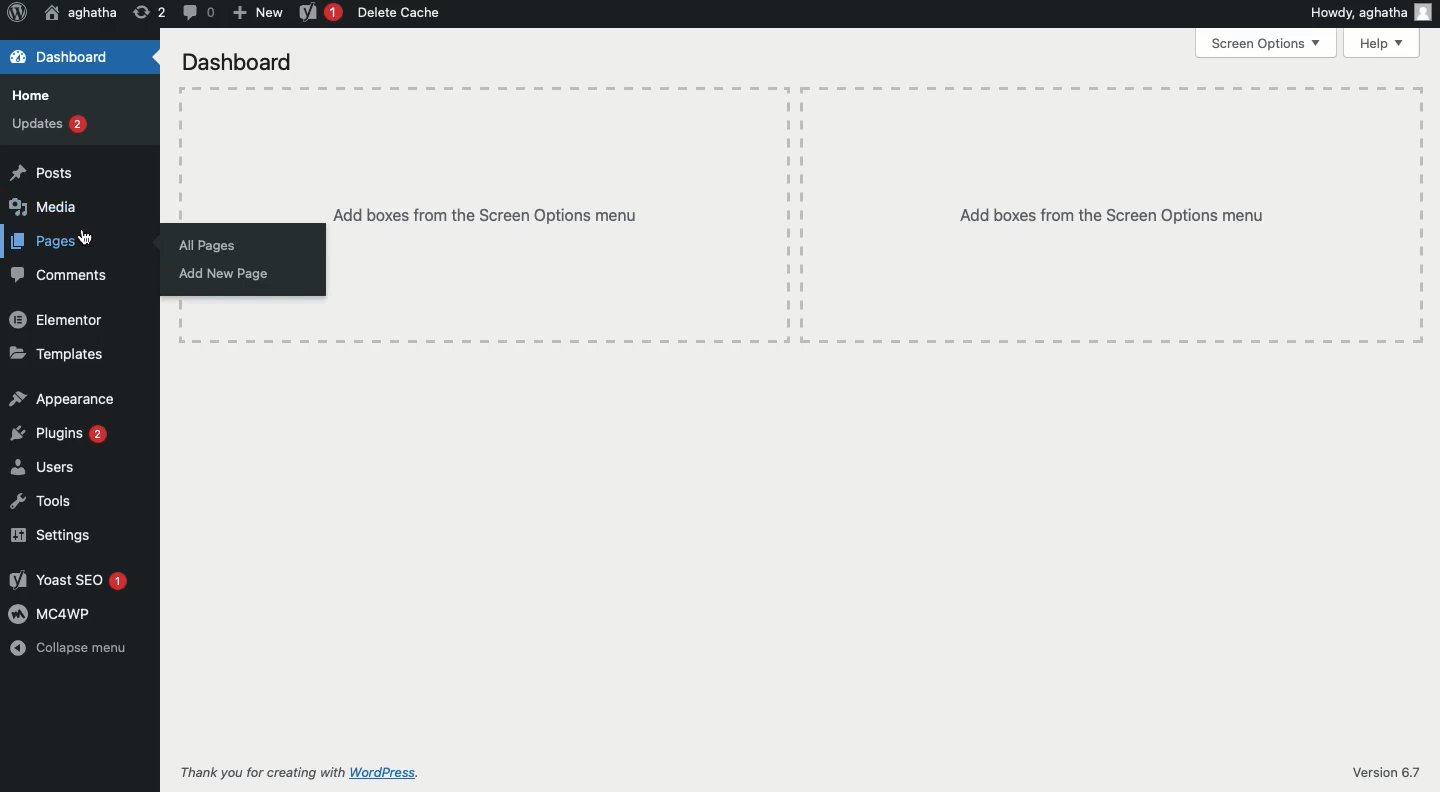 The image size is (1440, 792). I want to click on MC4WP, so click(48, 613).